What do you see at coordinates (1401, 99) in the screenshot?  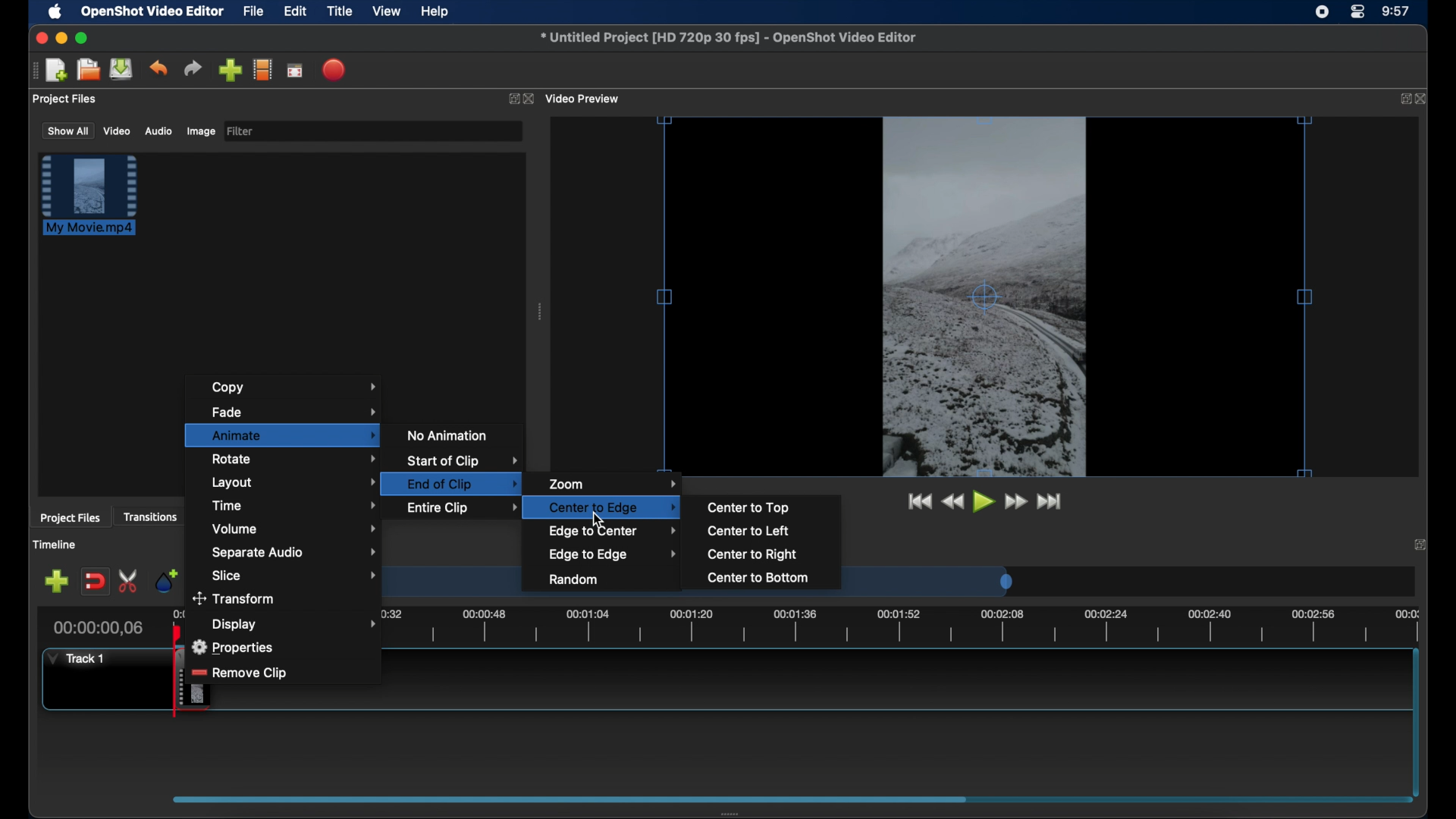 I see `expand` at bounding box center [1401, 99].